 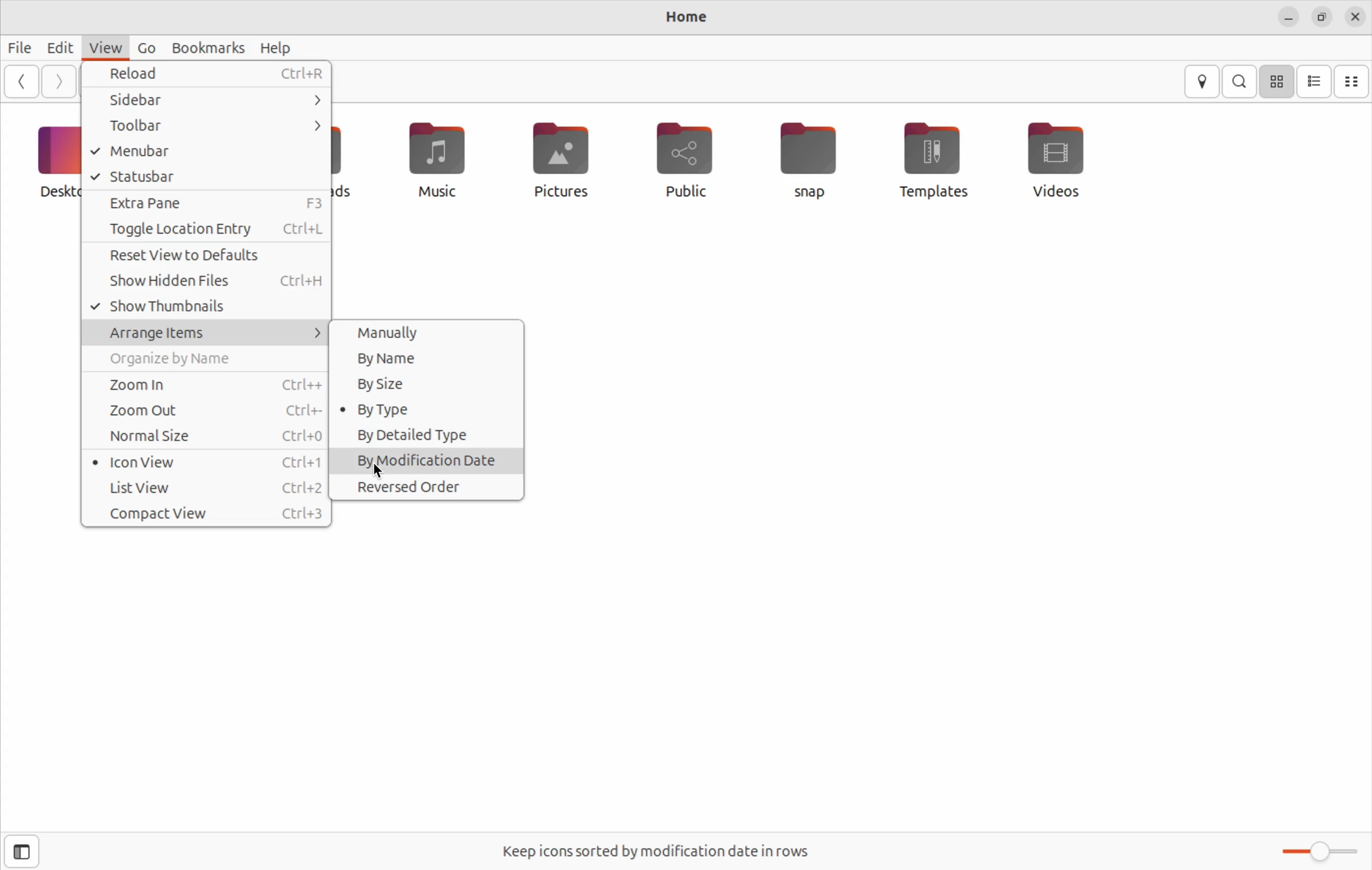 What do you see at coordinates (1278, 80) in the screenshot?
I see `icon view` at bounding box center [1278, 80].